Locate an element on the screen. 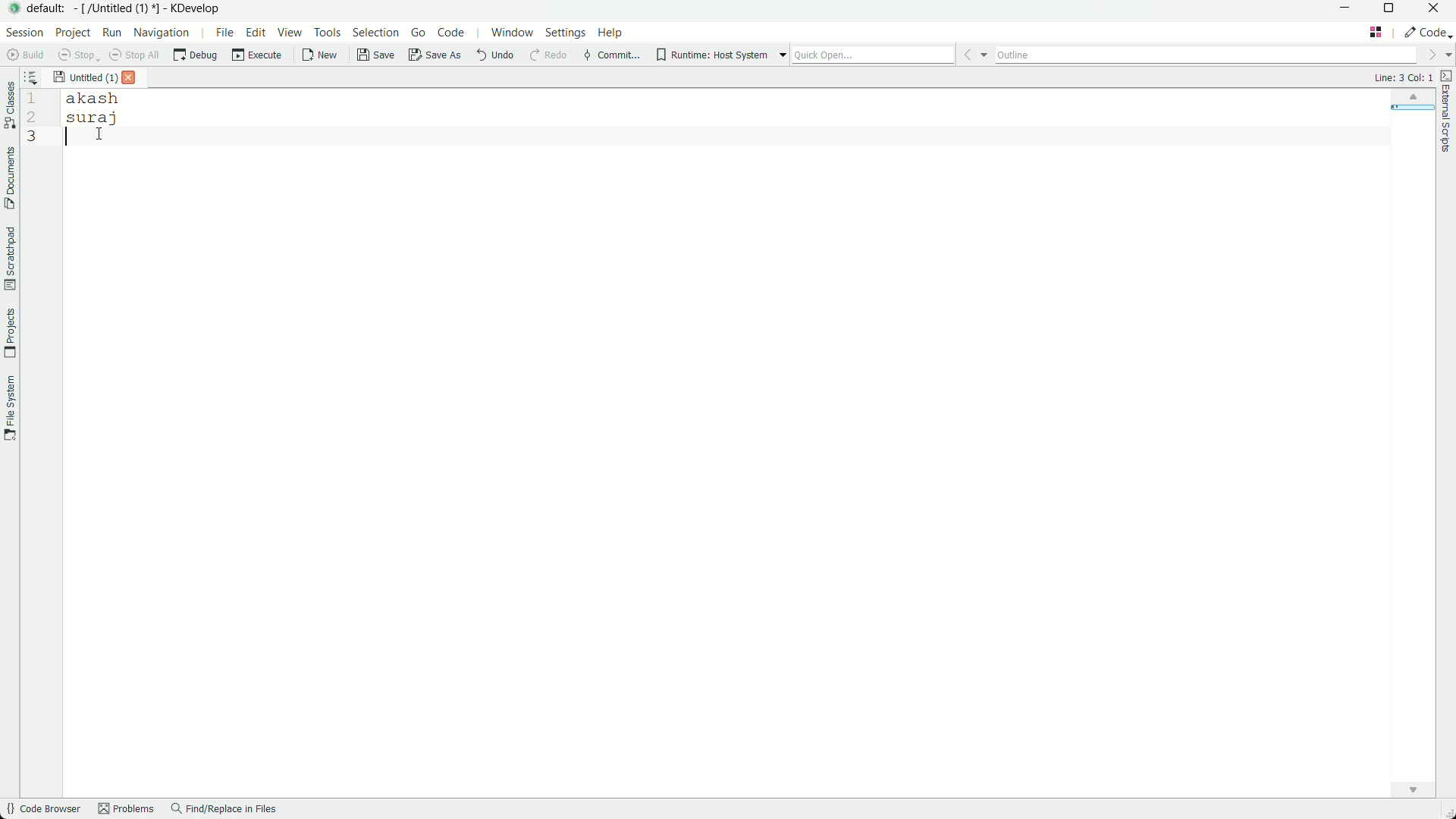 The width and height of the screenshot is (1456, 819). file system is located at coordinates (10, 409).